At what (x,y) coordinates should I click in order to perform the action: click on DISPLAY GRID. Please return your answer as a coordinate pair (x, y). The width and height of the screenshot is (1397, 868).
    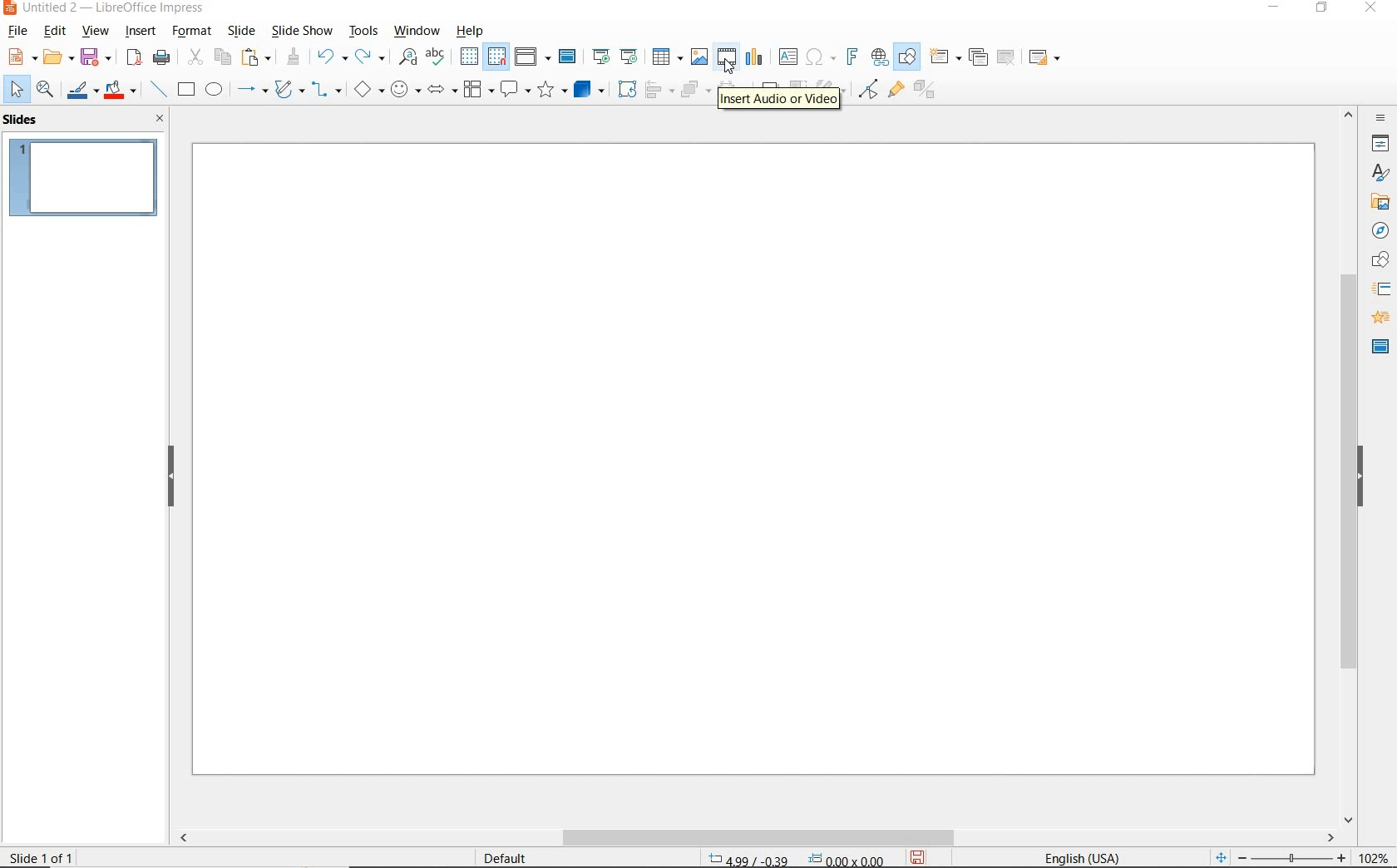
    Looking at the image, I should click on (469, 56).